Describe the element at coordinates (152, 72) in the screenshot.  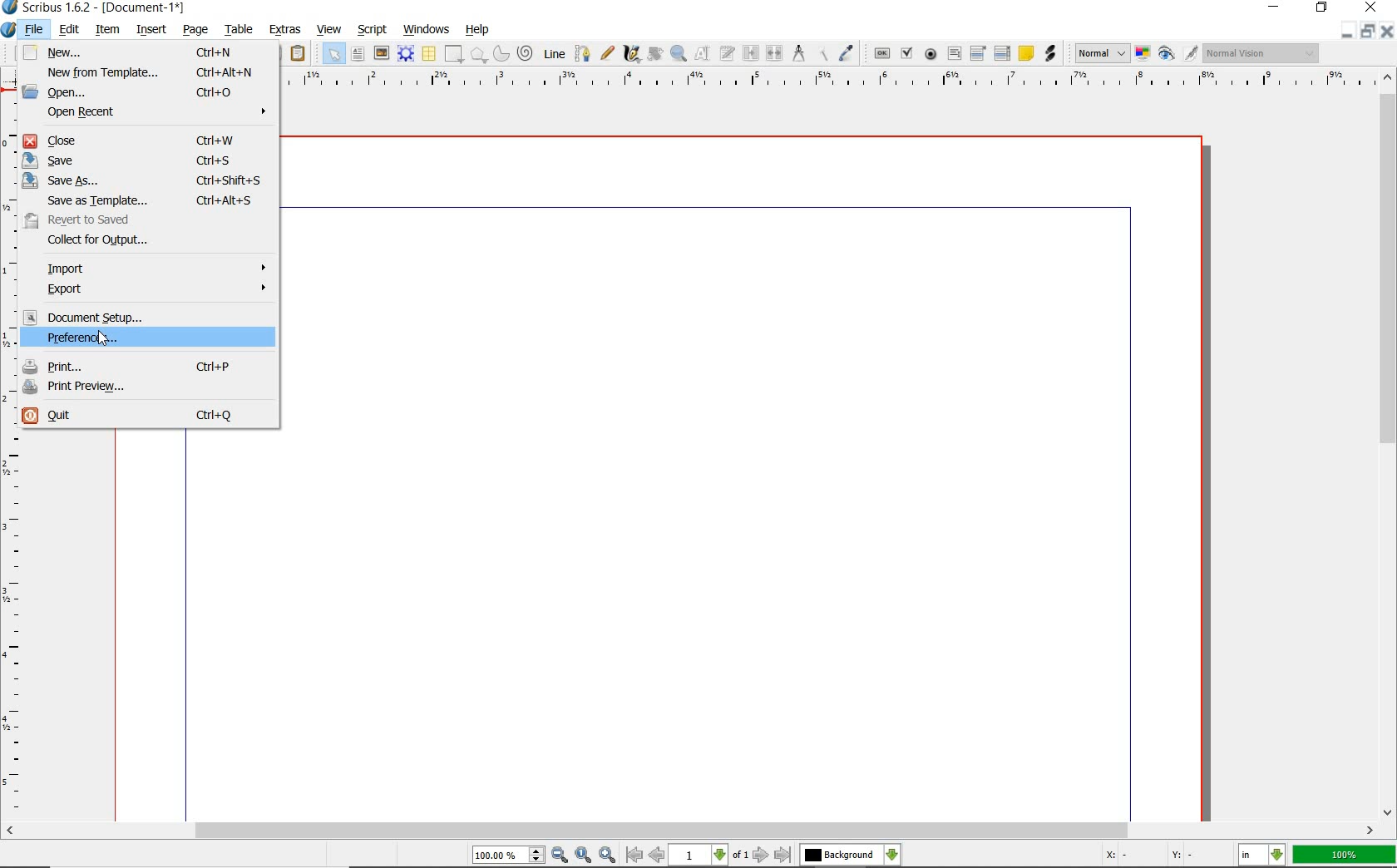
I see `NEW FROM TEMPLATE` at that location.